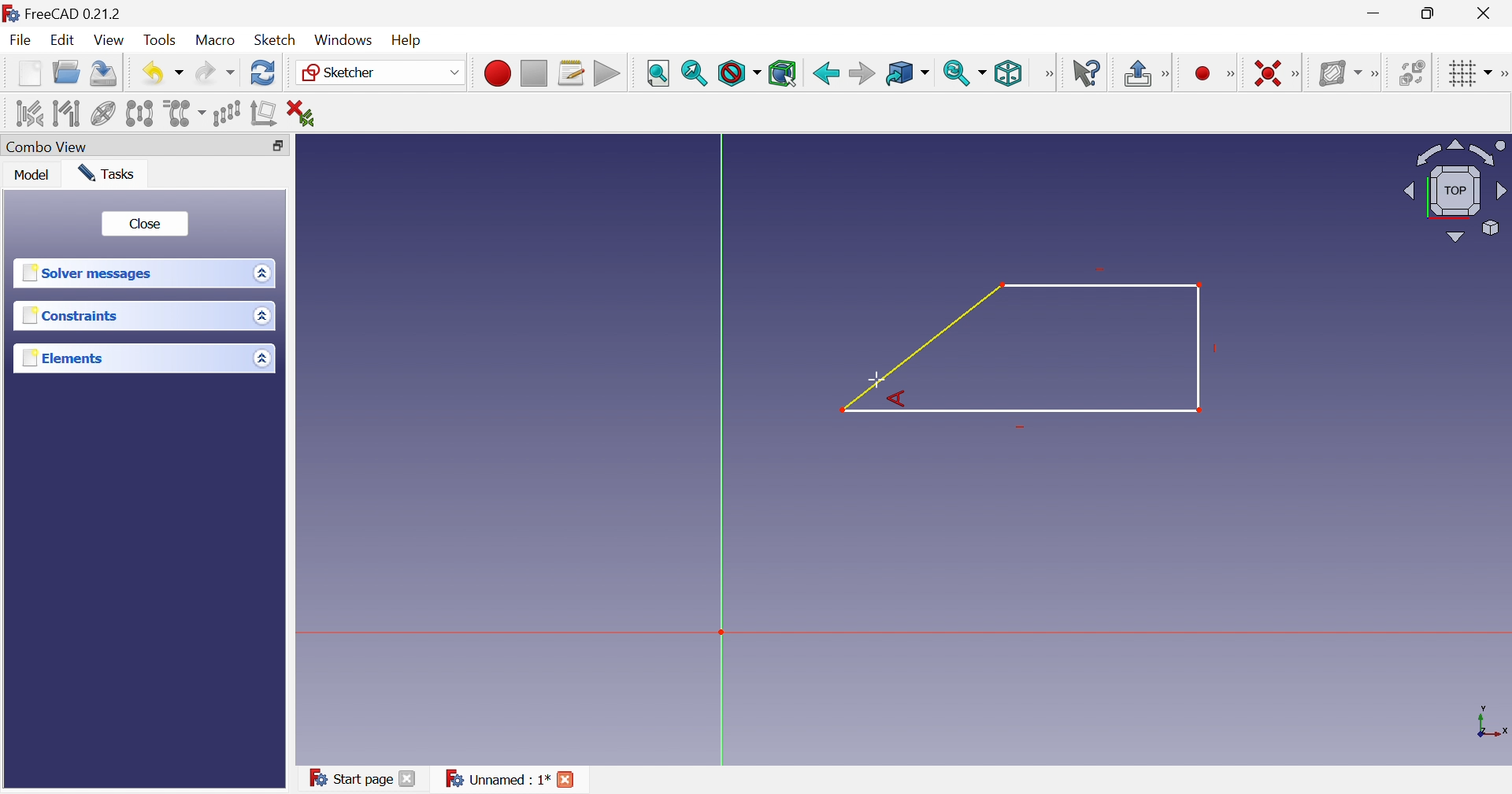  I want to click on constraint point onto object, so click(1175, 72).